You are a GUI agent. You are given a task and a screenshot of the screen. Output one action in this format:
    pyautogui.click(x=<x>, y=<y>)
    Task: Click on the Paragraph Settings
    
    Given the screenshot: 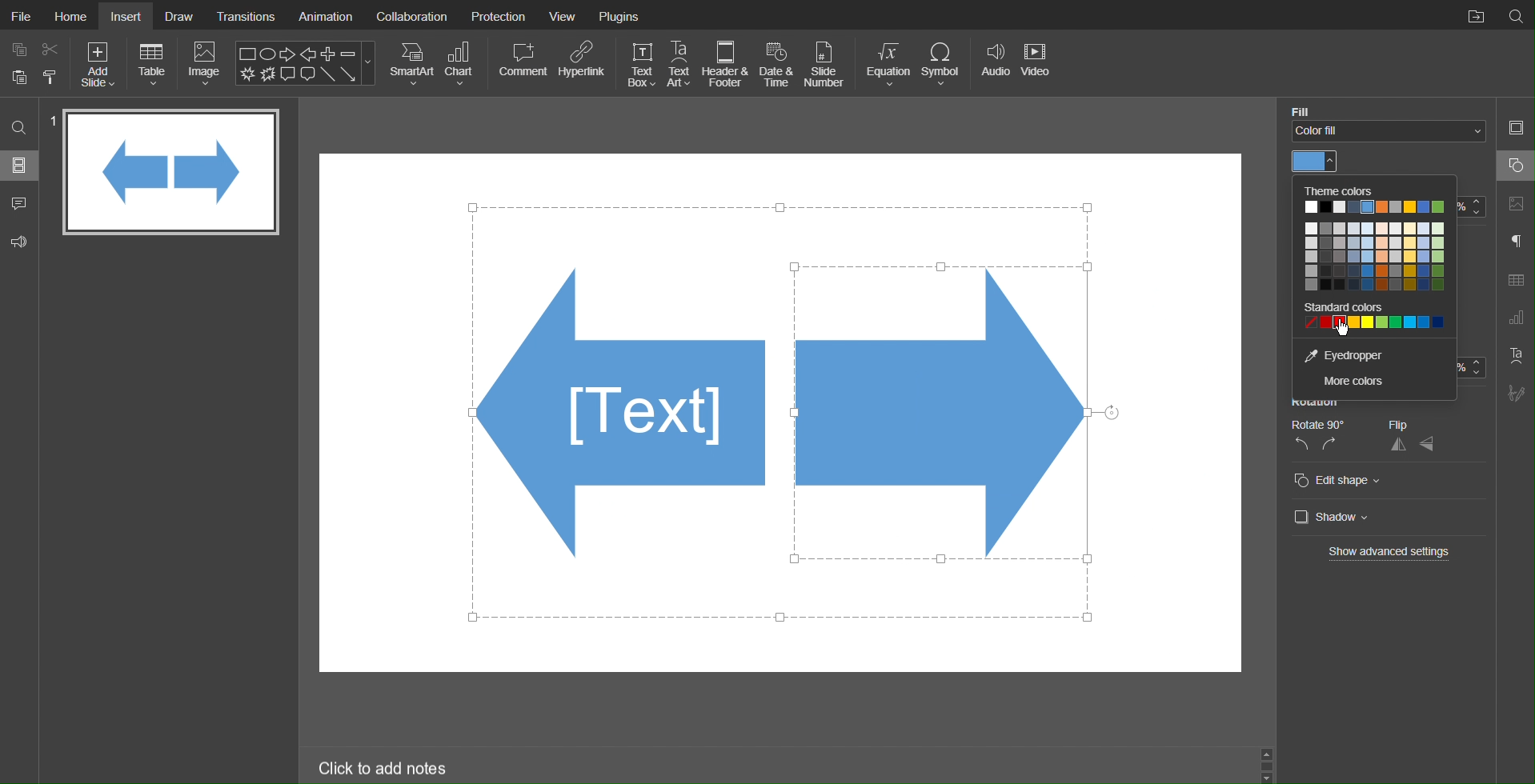 What is the action you would take?
    pyautogui.click(x=1516, y=242)
    